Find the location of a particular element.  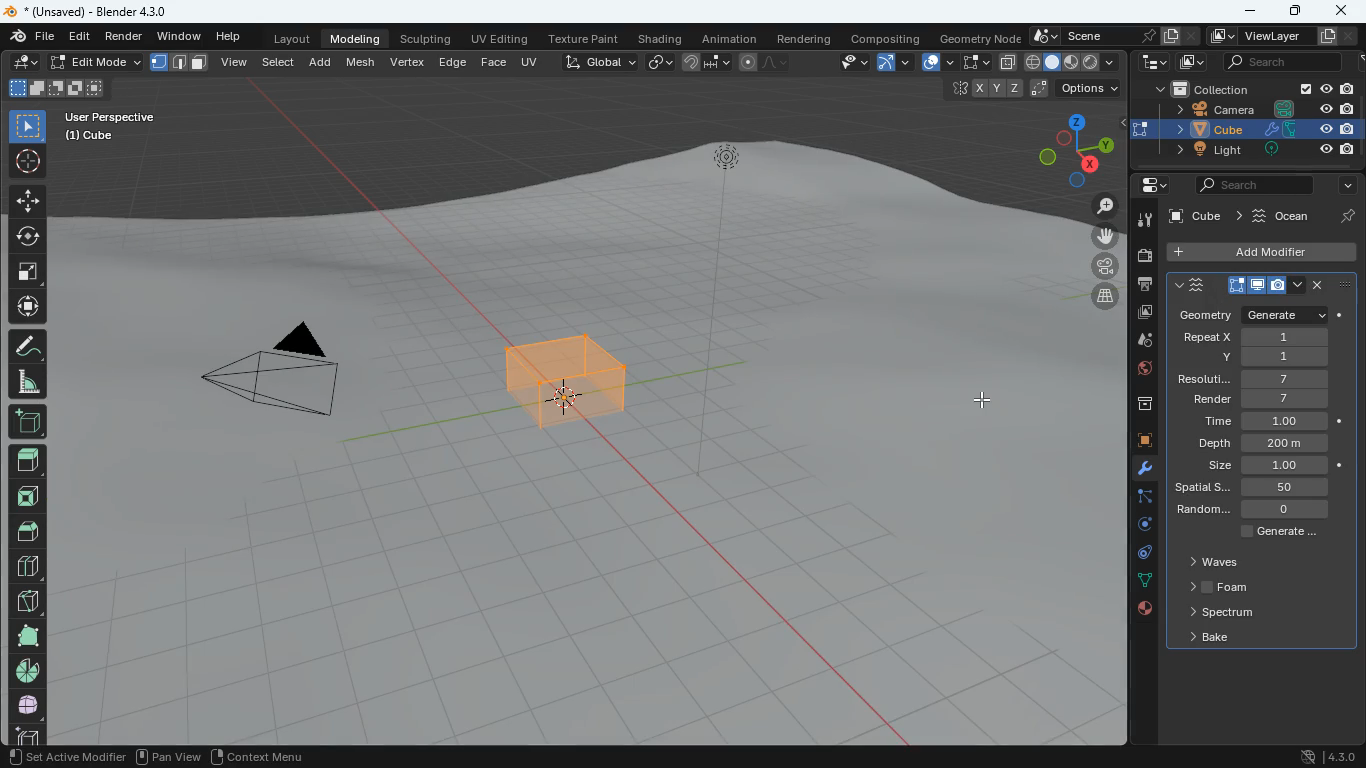

edit is located at coordinates (82, 37).